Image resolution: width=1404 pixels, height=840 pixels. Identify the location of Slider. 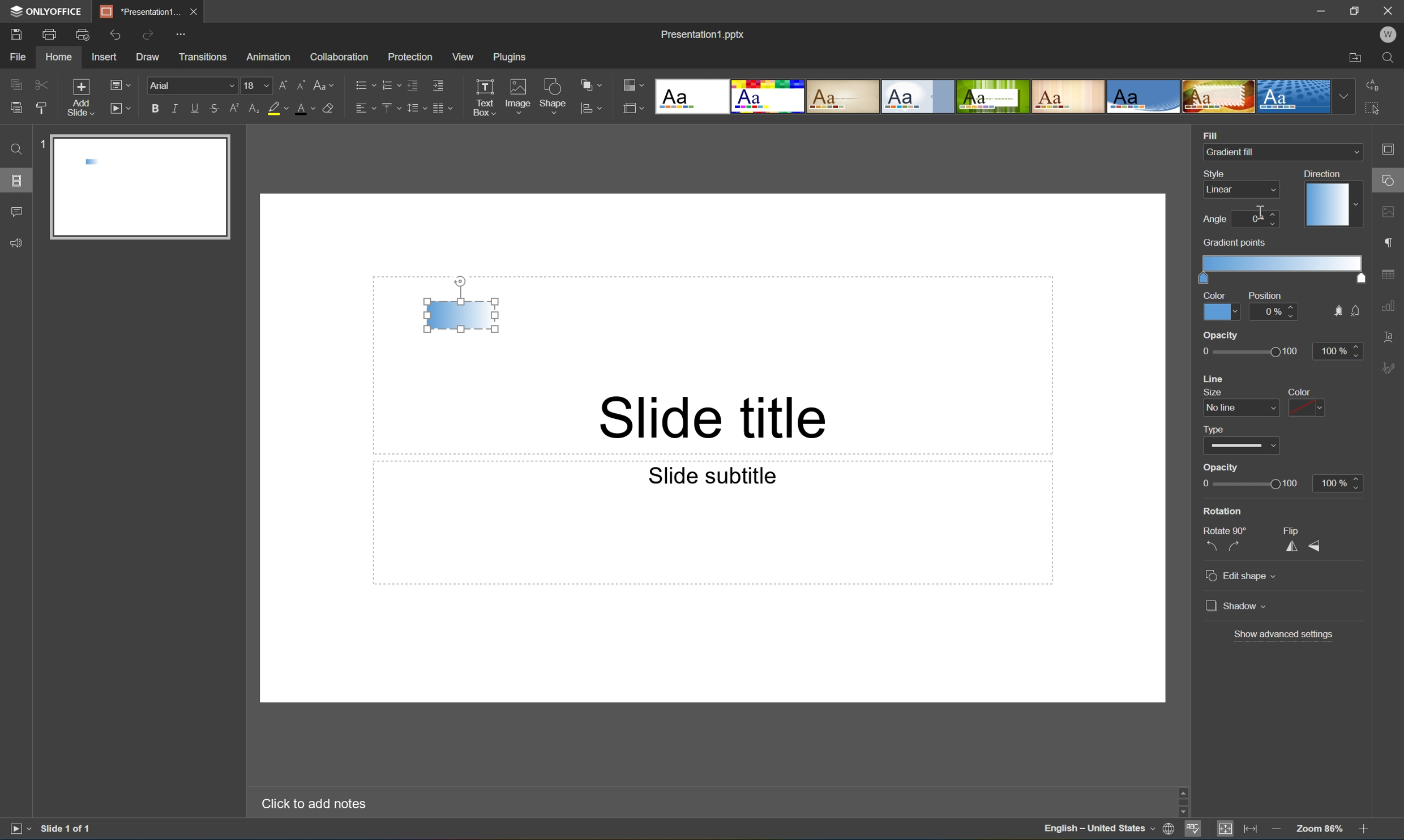
(1248, 485).